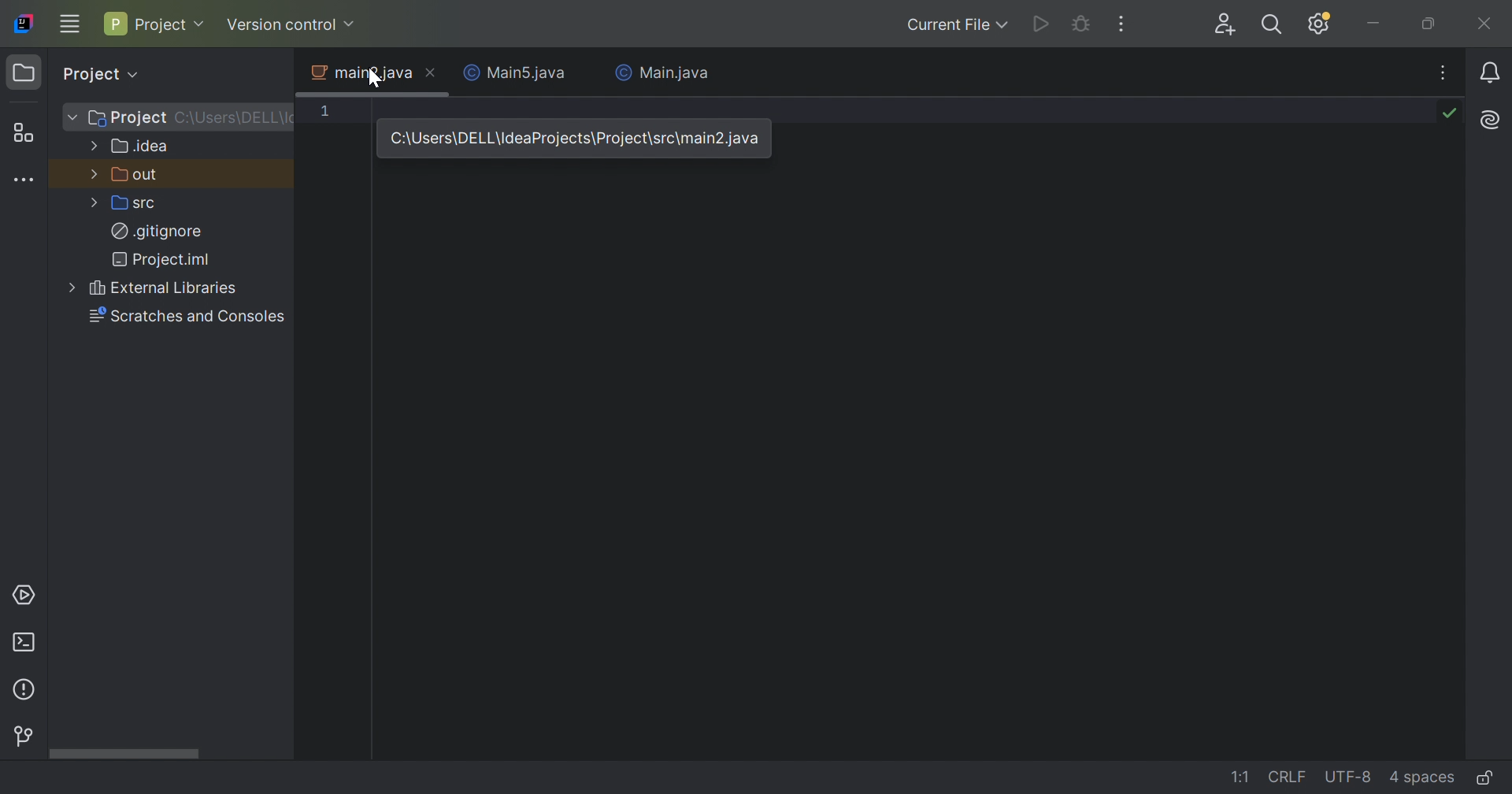 The width and height of the screenshot is (1512, 794). Describe the element at coordinates (1121, 23) in the screenshot. I see `More Actions` at that location.